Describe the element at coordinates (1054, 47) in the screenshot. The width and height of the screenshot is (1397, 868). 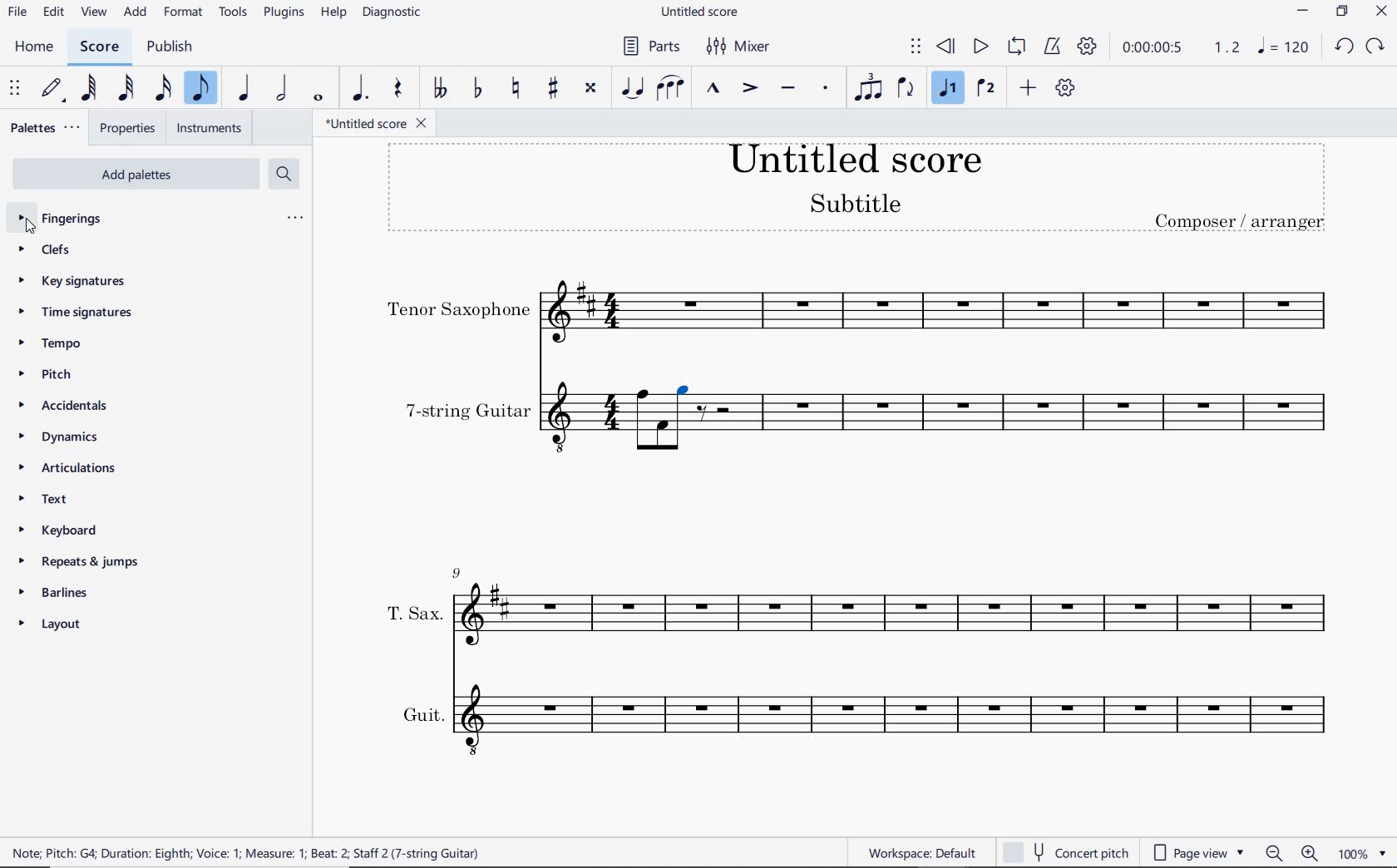
I see `METRONOME` at that location.